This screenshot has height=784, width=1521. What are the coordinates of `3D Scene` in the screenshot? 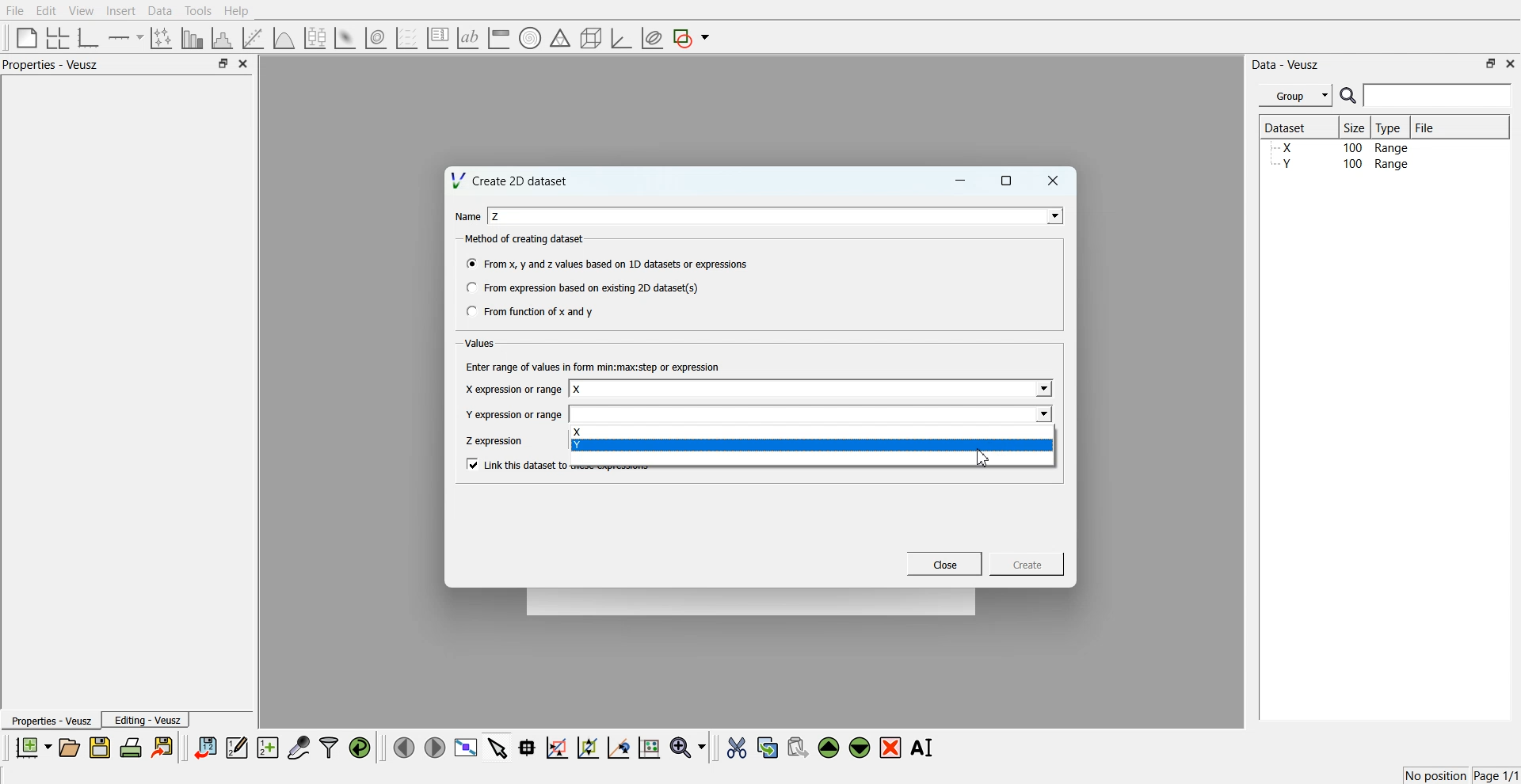 It's located at (592, 39).